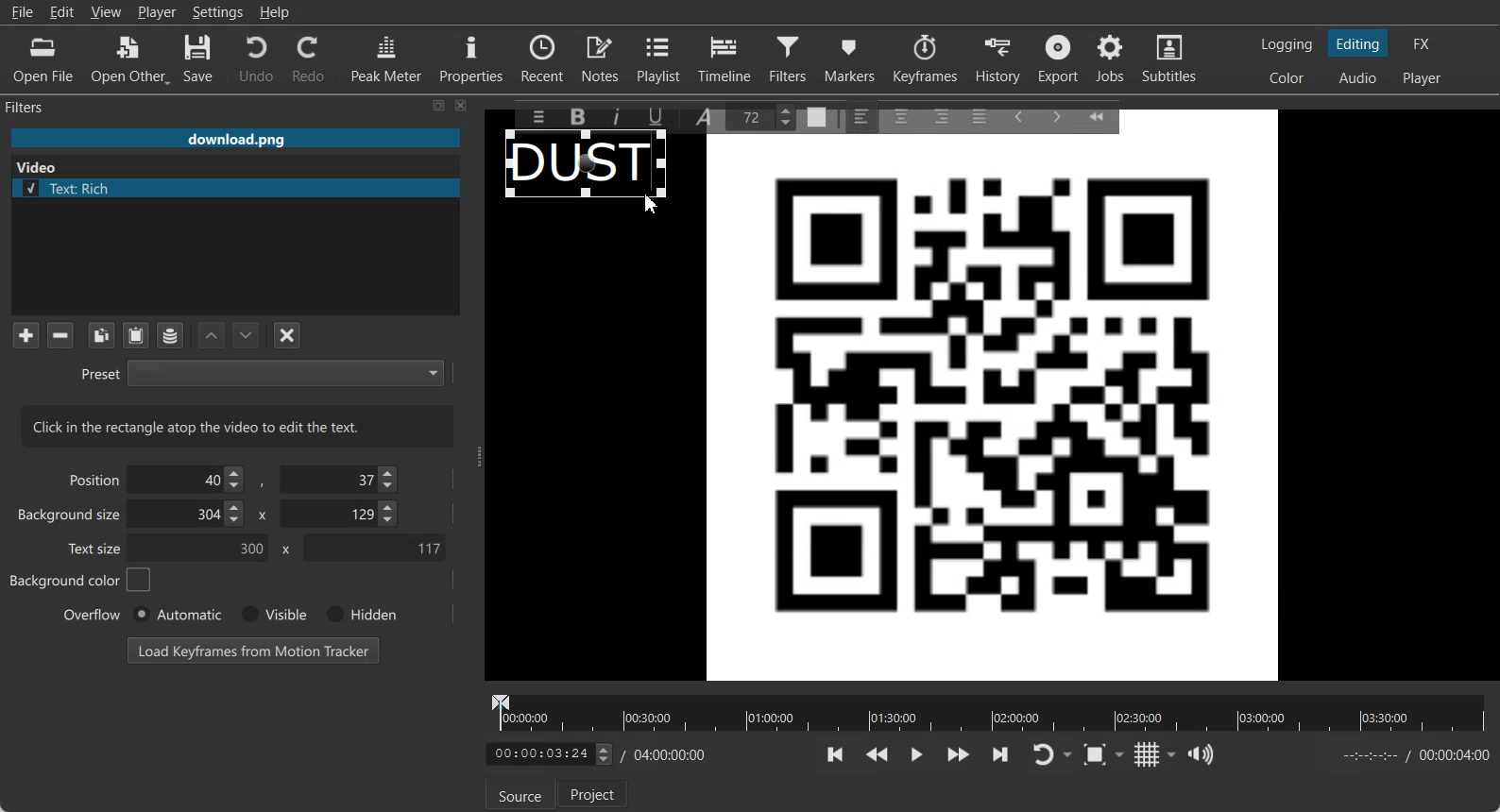 The width and height of the screenshot is (1500, 812). What do you see at coordinates (101, 335) in the screenshot?
I see `Copy checked filters` at bounding box center [101, 335].